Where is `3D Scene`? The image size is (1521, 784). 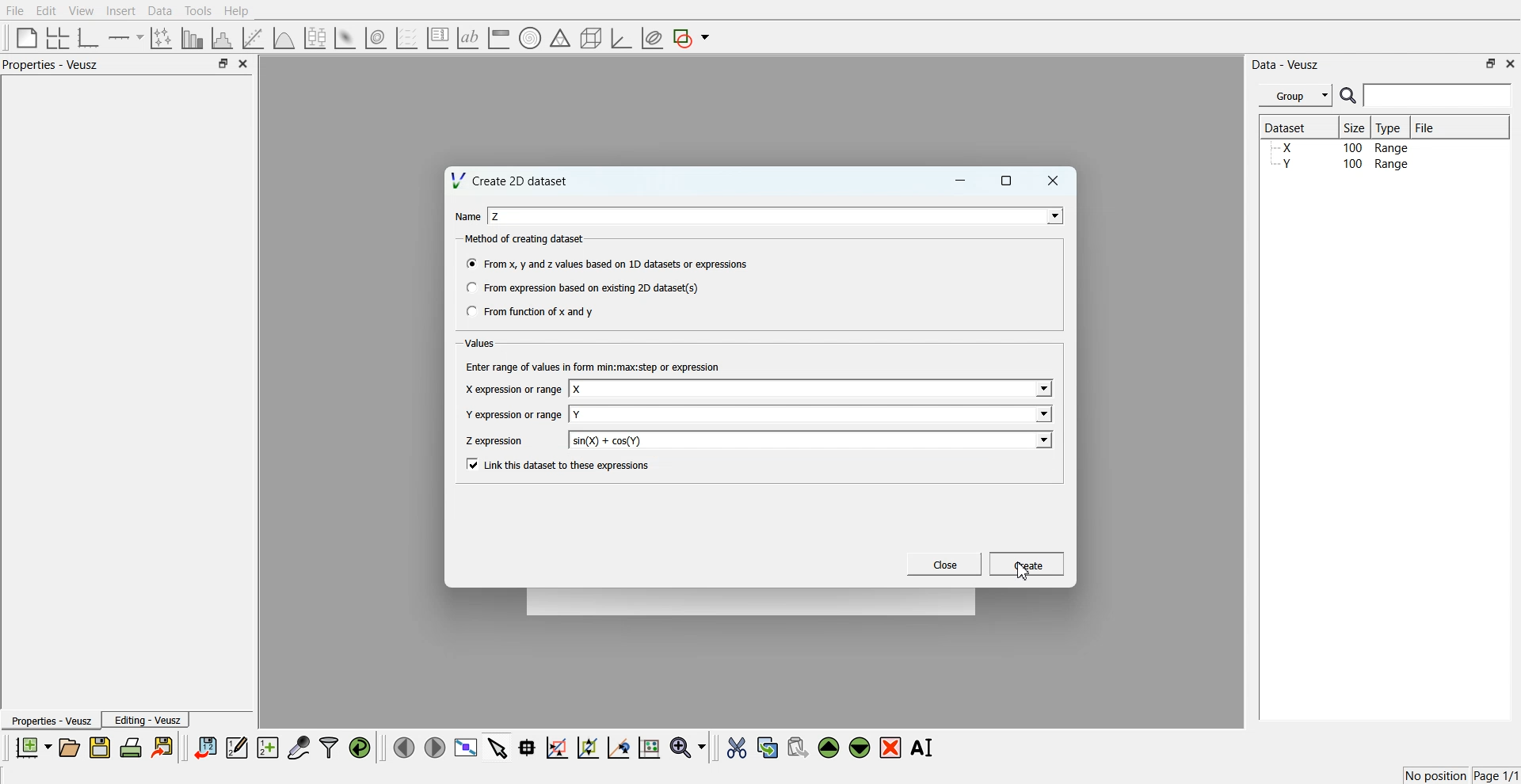
3D Scene is located at coordinates (592, 39).